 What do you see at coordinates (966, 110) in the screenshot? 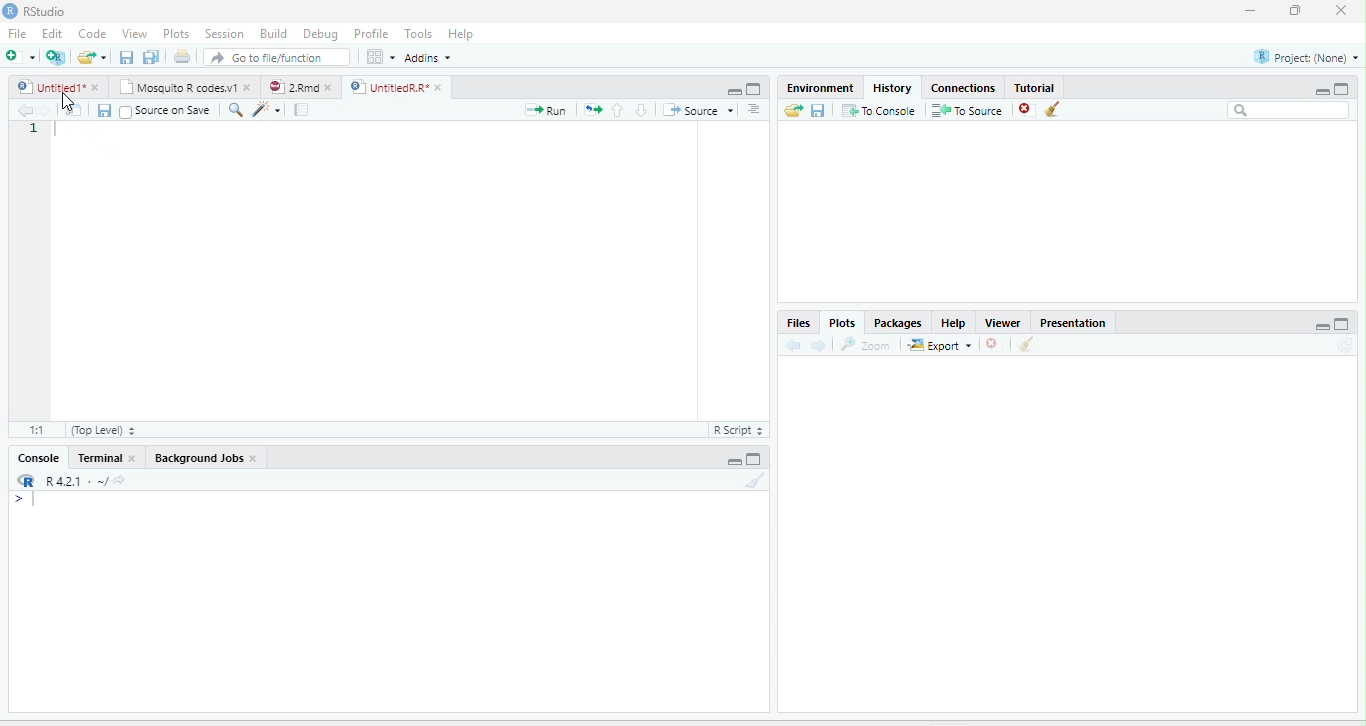
I see `To Source` at bounding box center [966, 110].